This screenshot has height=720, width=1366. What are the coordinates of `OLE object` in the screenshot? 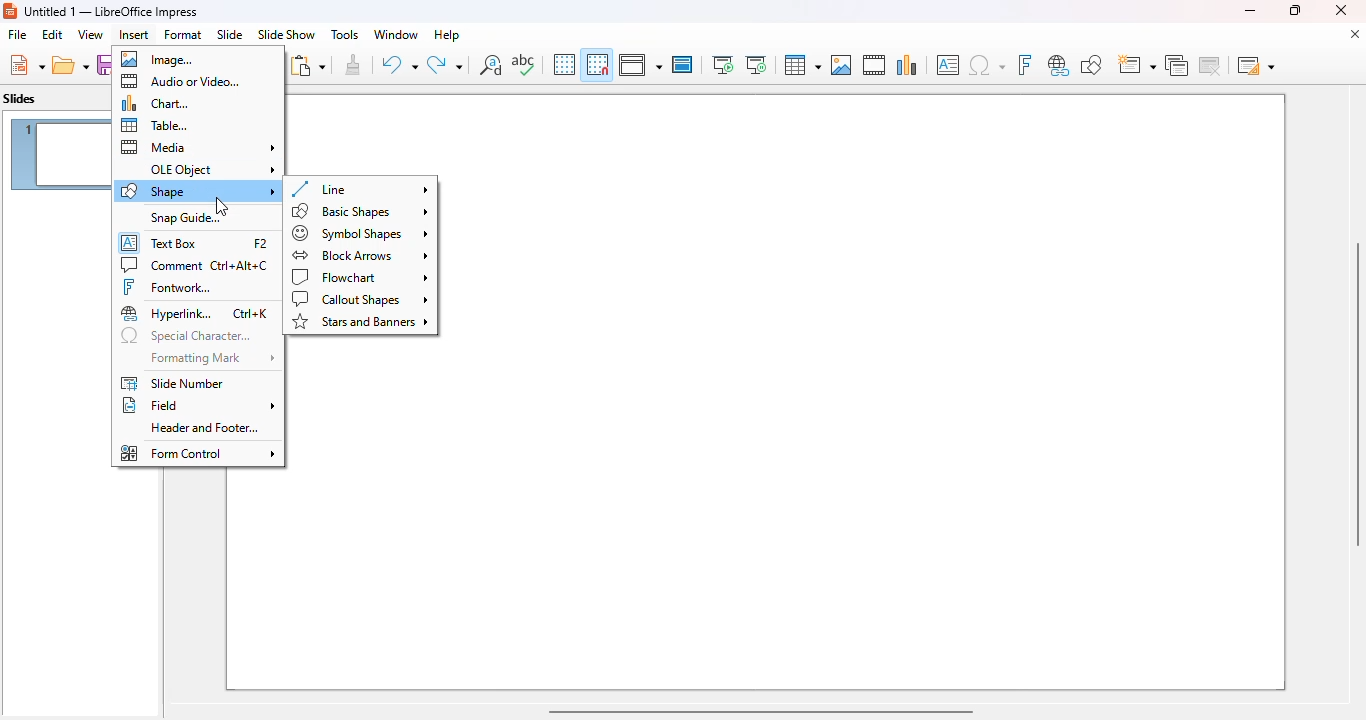 It's located at (212, 170).